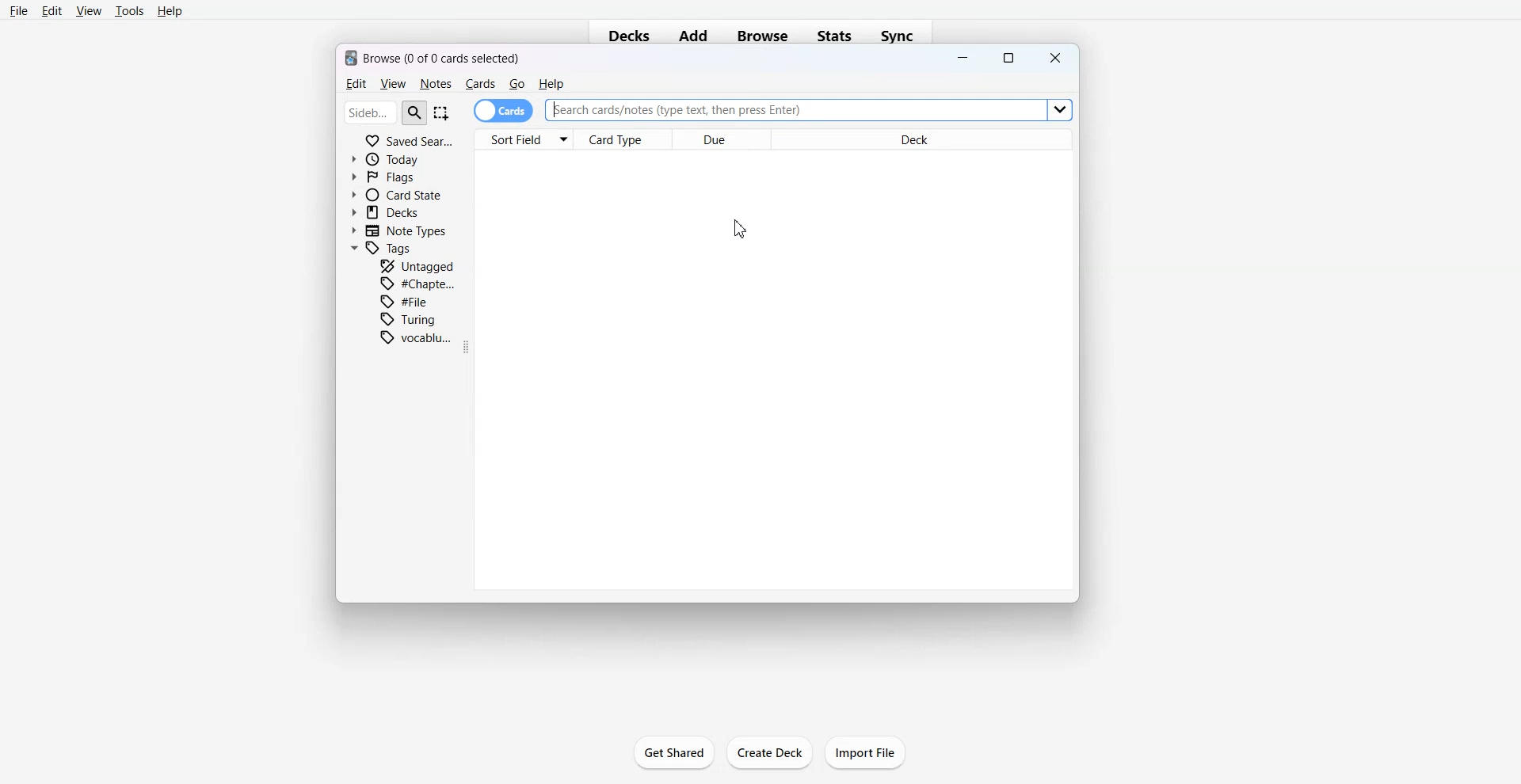 Image resolution: width=1521 pixels, height=784 pixels. Describe the element at coordinates (480, 84) in the screenshot. I see `Cards` at that location.